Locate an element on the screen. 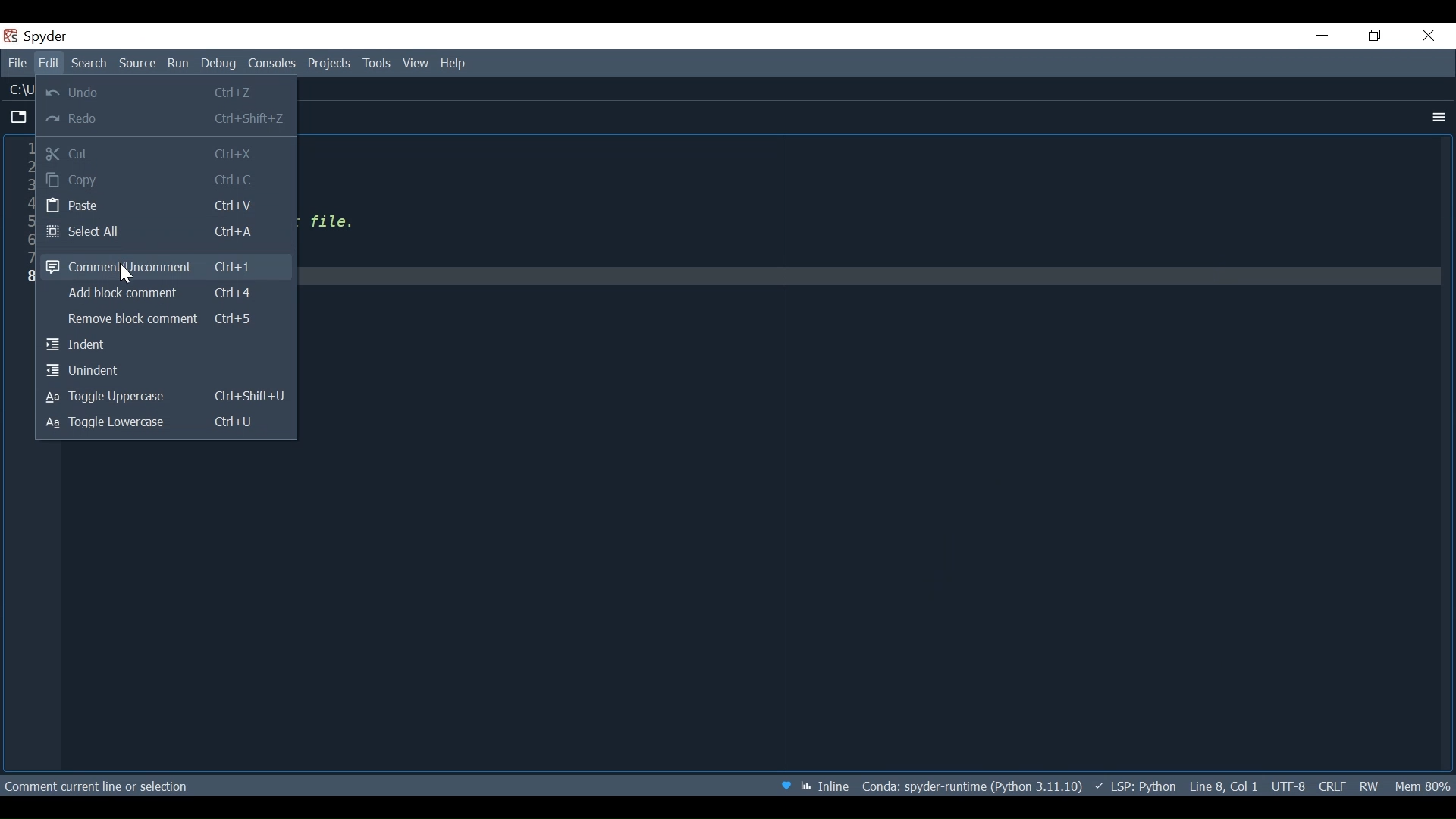  Add block comment is located at coordinates (163, 295).